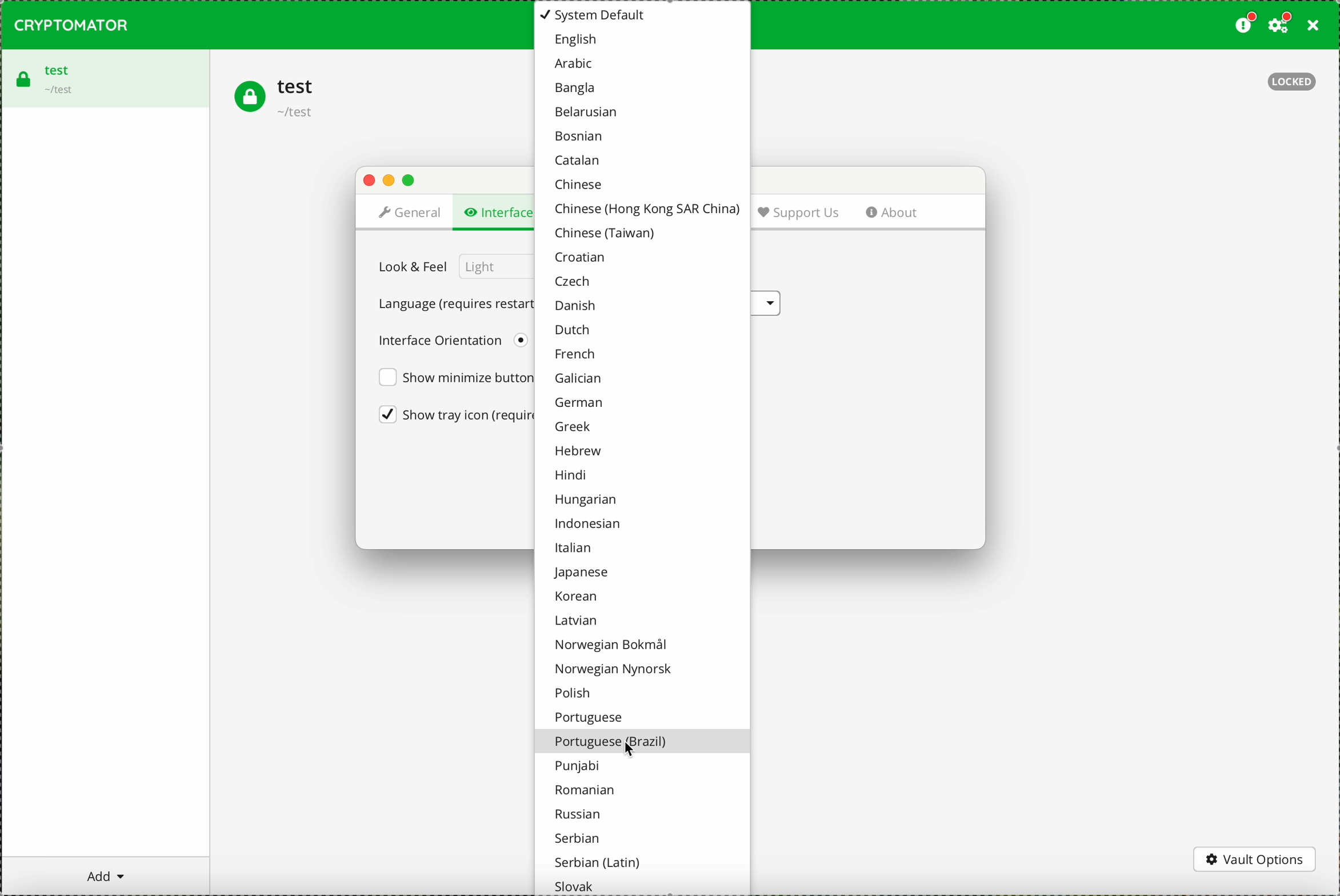 This screenshot has height=896, width=1340. What do you see at coordinates (573, 475) in the screenshot?
I see `hindi` at bounding box center [573, 475].